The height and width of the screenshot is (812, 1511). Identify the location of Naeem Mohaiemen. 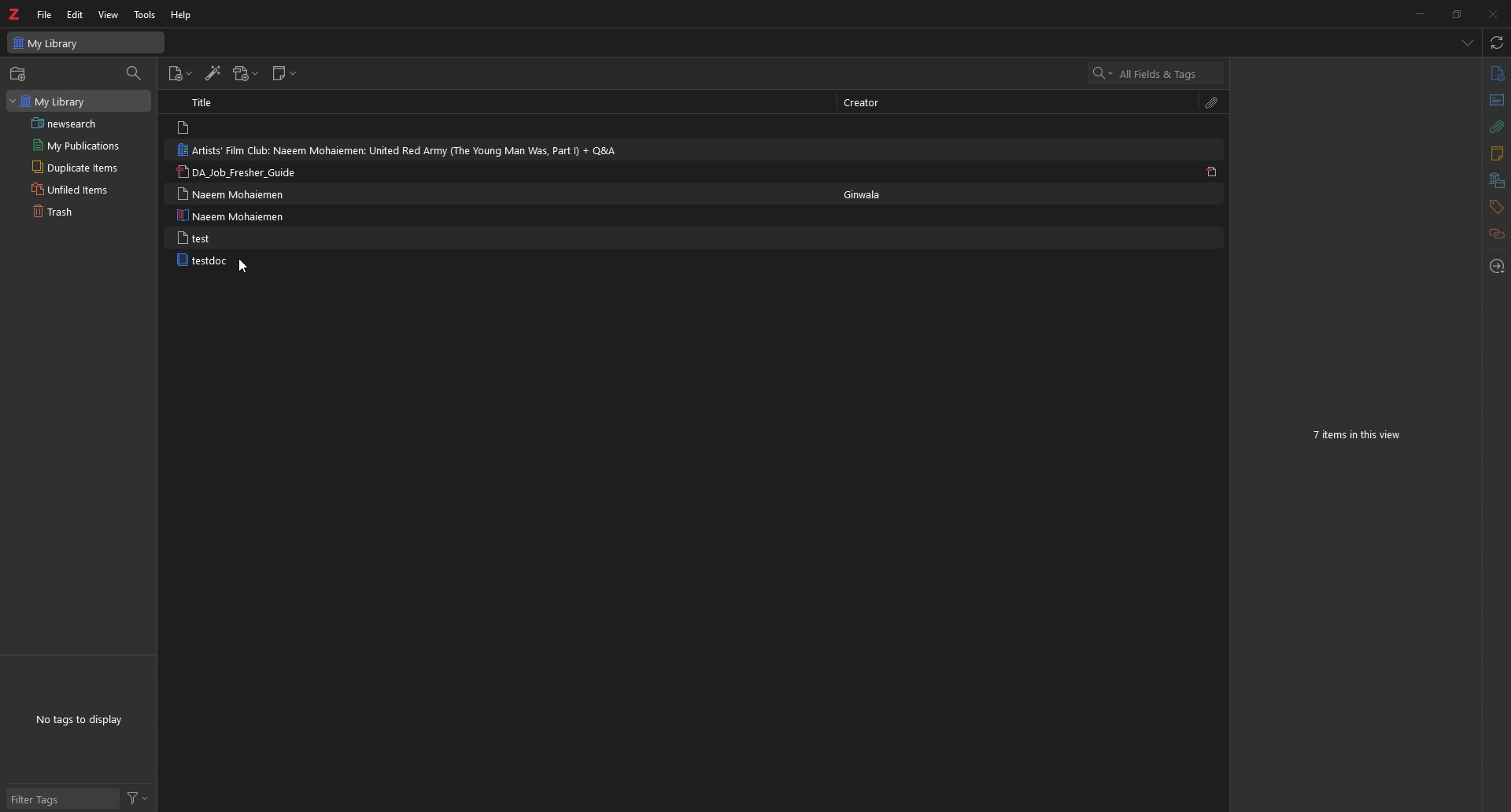
(231, 194).